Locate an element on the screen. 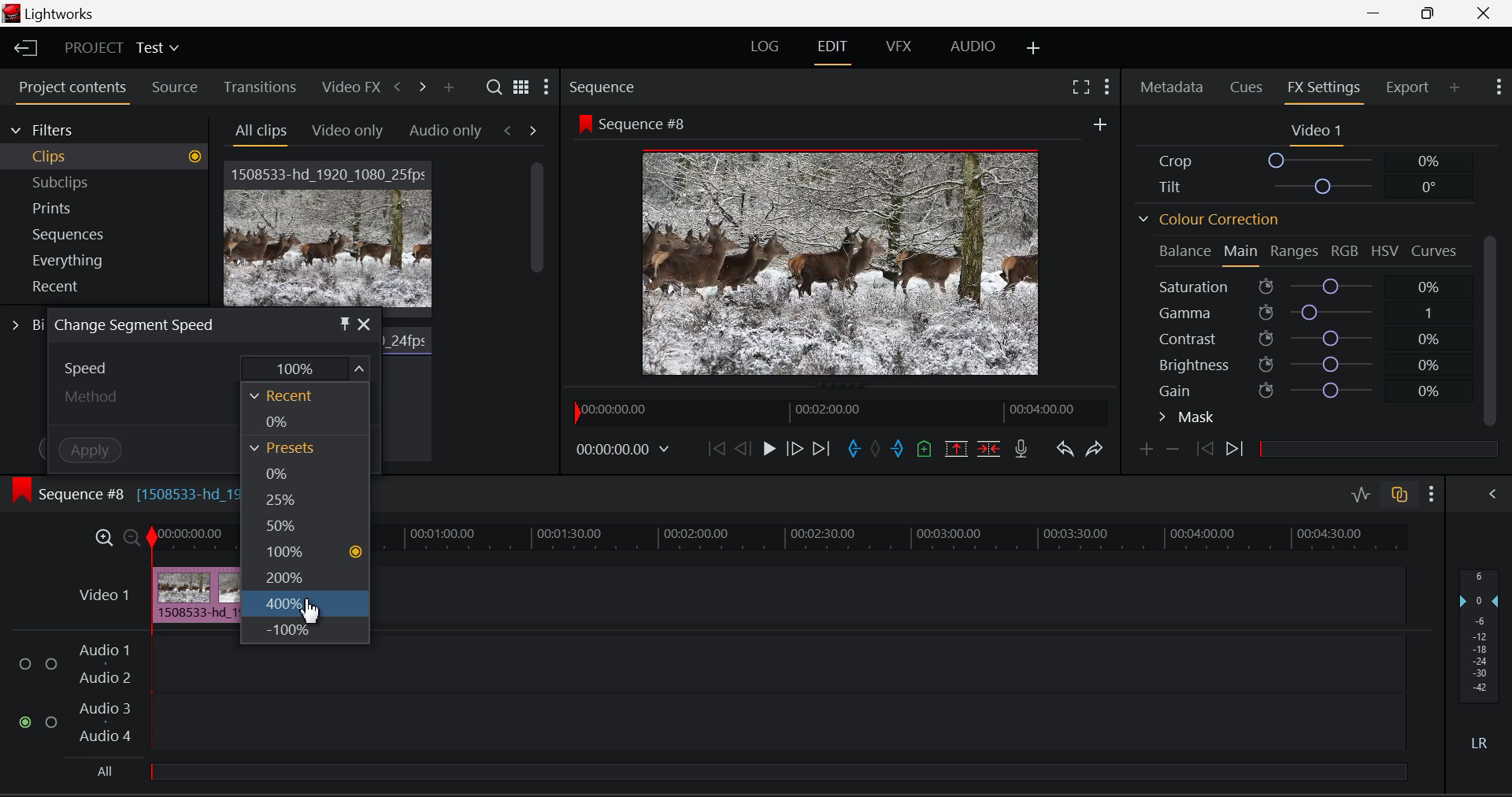 Image resolution: width=1512 pixels, height=797 pixels. Video Clip 1 is located at coordinates (329, 235).